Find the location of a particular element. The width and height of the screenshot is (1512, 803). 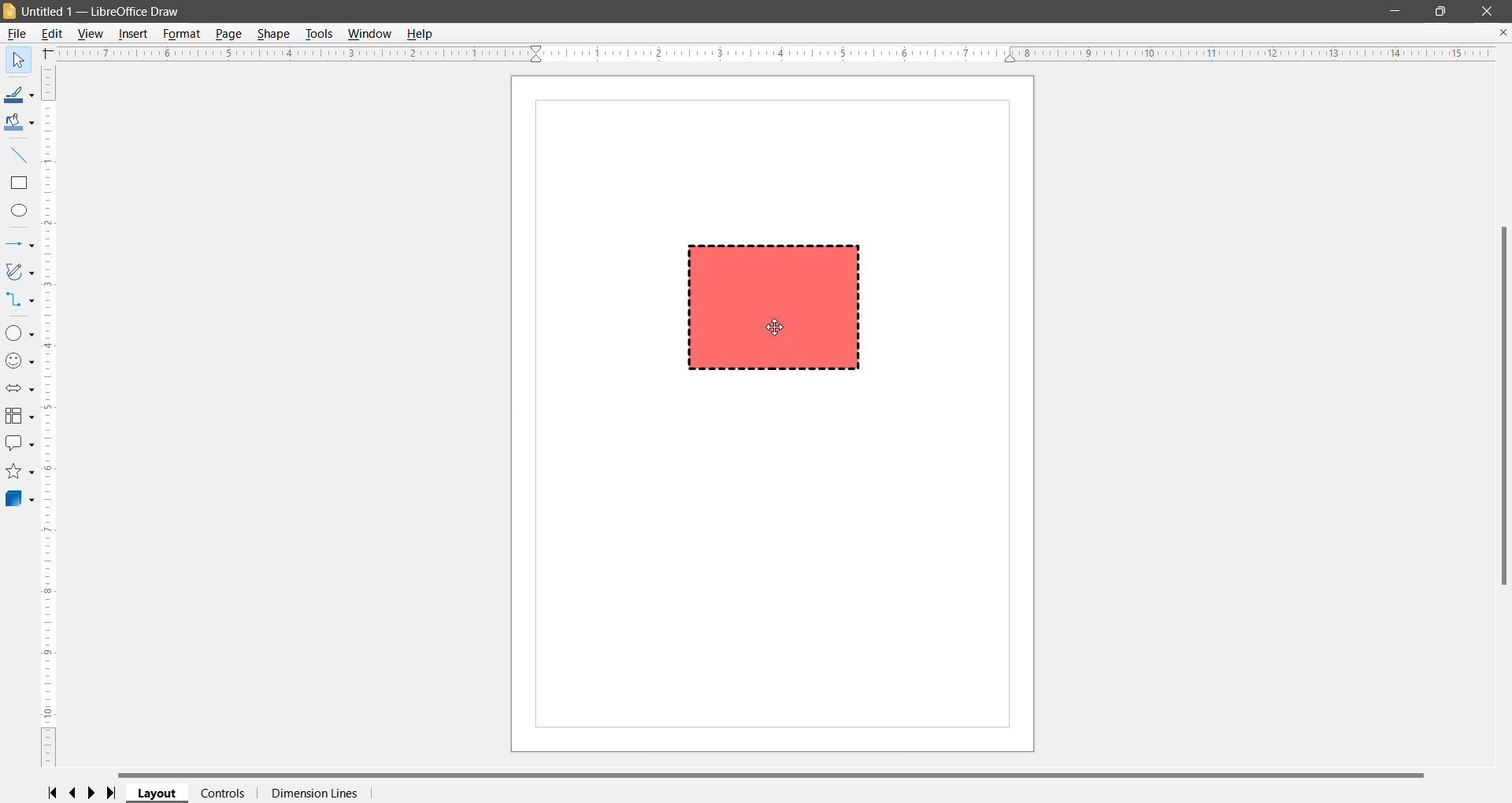

Scroll to first page is located at coordinates (54, 793).